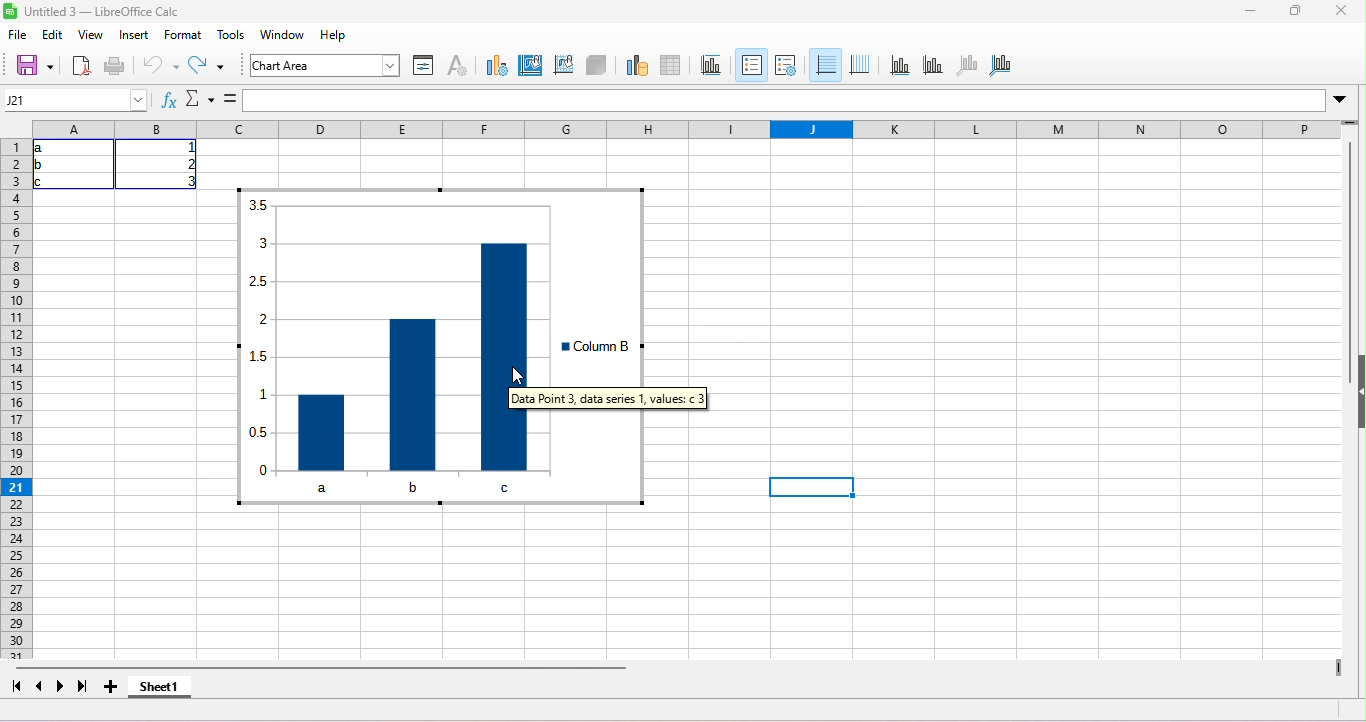 The image size is (1366, 722). What do you see at coordinates (135, 37) in the screenshot?
I see `insert` at bounding box center [135, 37].